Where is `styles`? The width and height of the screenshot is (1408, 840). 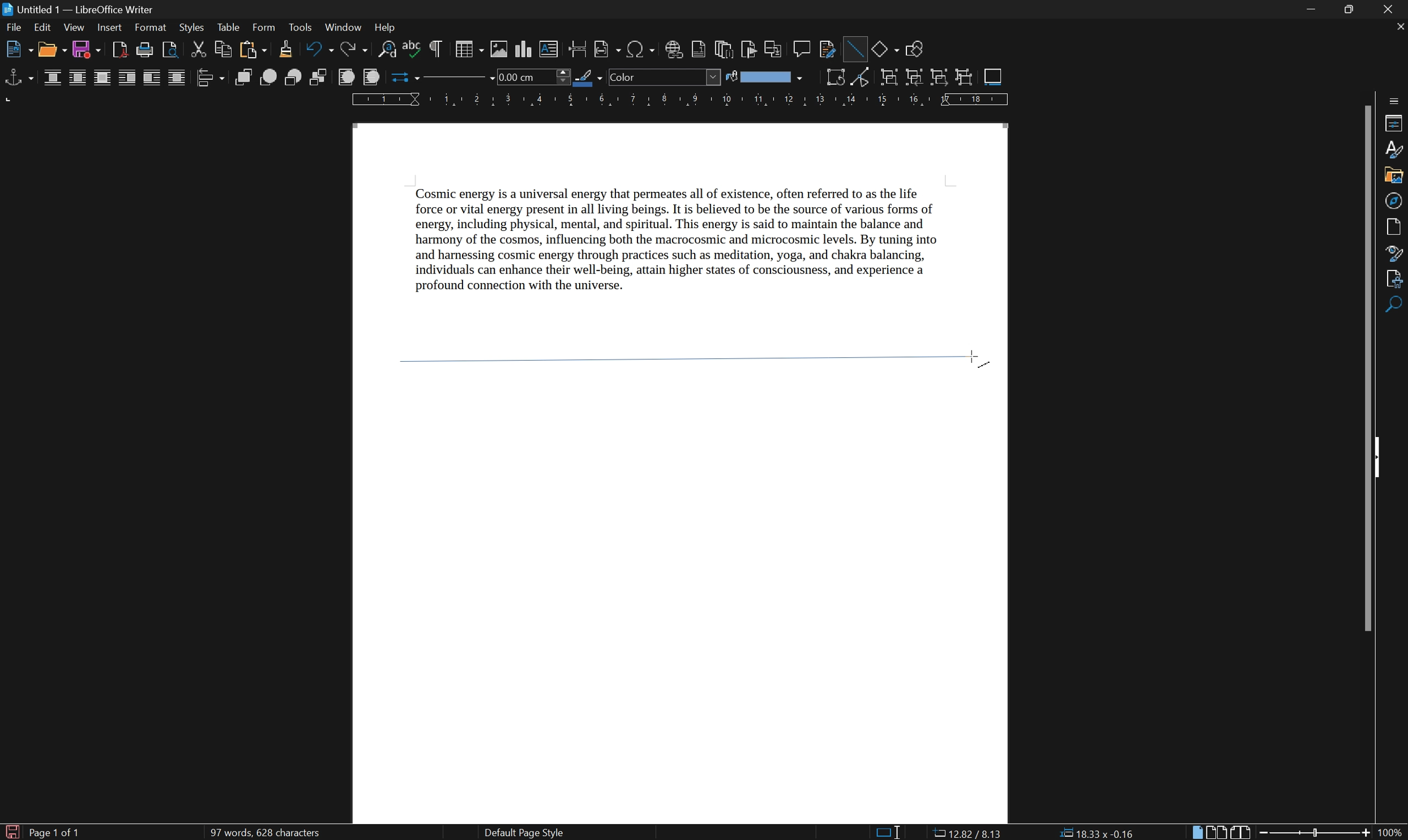 styles is located at coordinates (191, 27).